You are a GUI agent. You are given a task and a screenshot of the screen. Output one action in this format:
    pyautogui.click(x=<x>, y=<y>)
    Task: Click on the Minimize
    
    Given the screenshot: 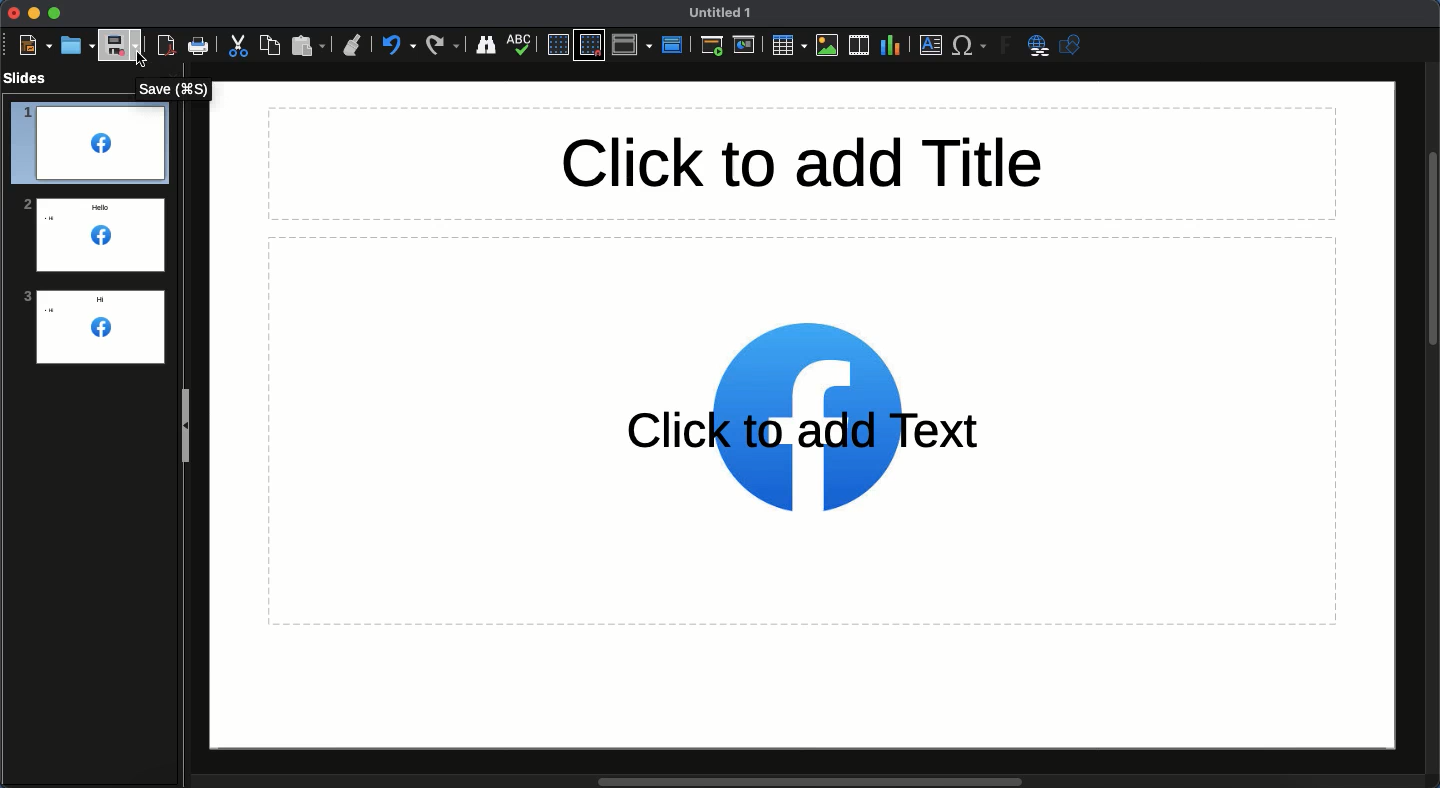 What is the action you would take?
    pyautogui.click(x=33, y=13)
    